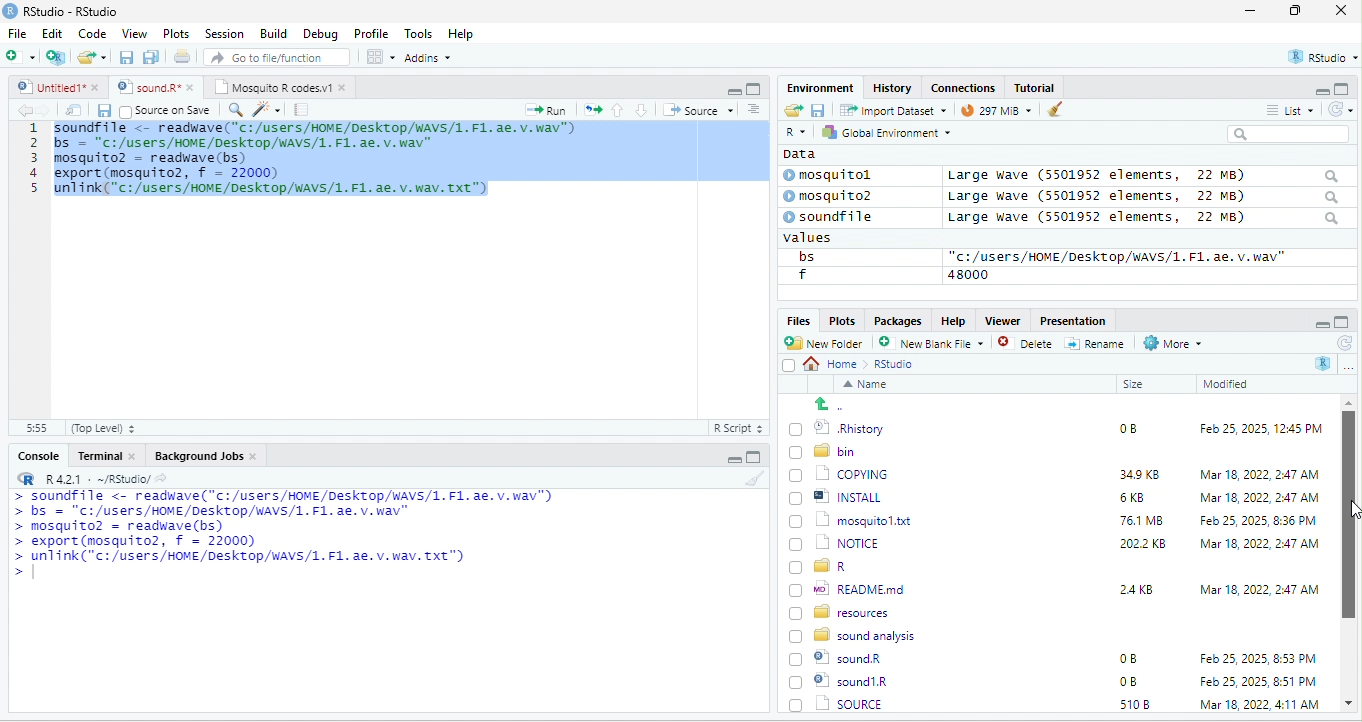 Image resolution: width=1362 pixels, height=722 pixels. What do you see at coordinates (842, 175) in the screenshot?
I see `© mosquitol` at bounding box center [842, 175].